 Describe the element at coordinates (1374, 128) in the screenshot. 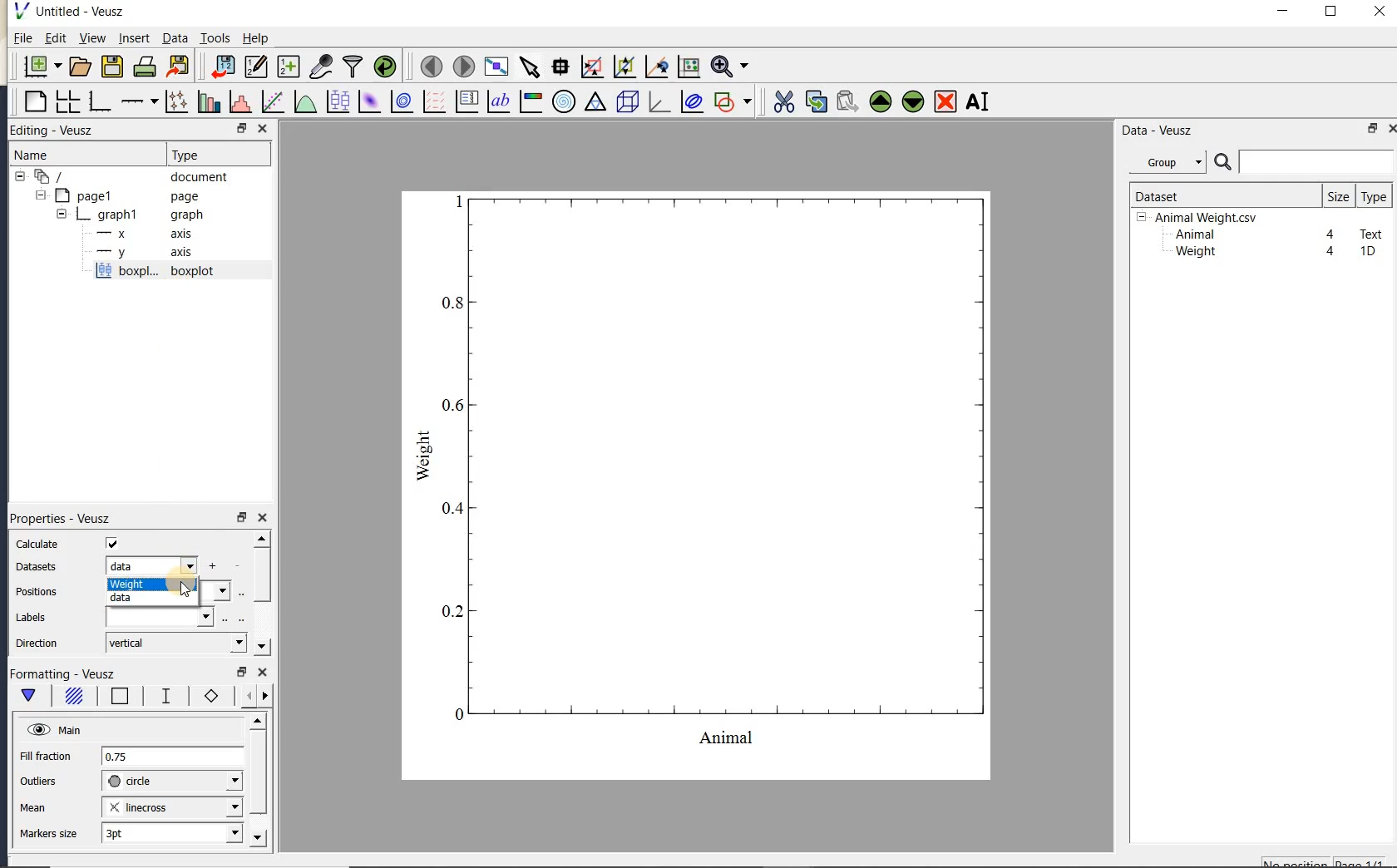

I see `restore` at that location.